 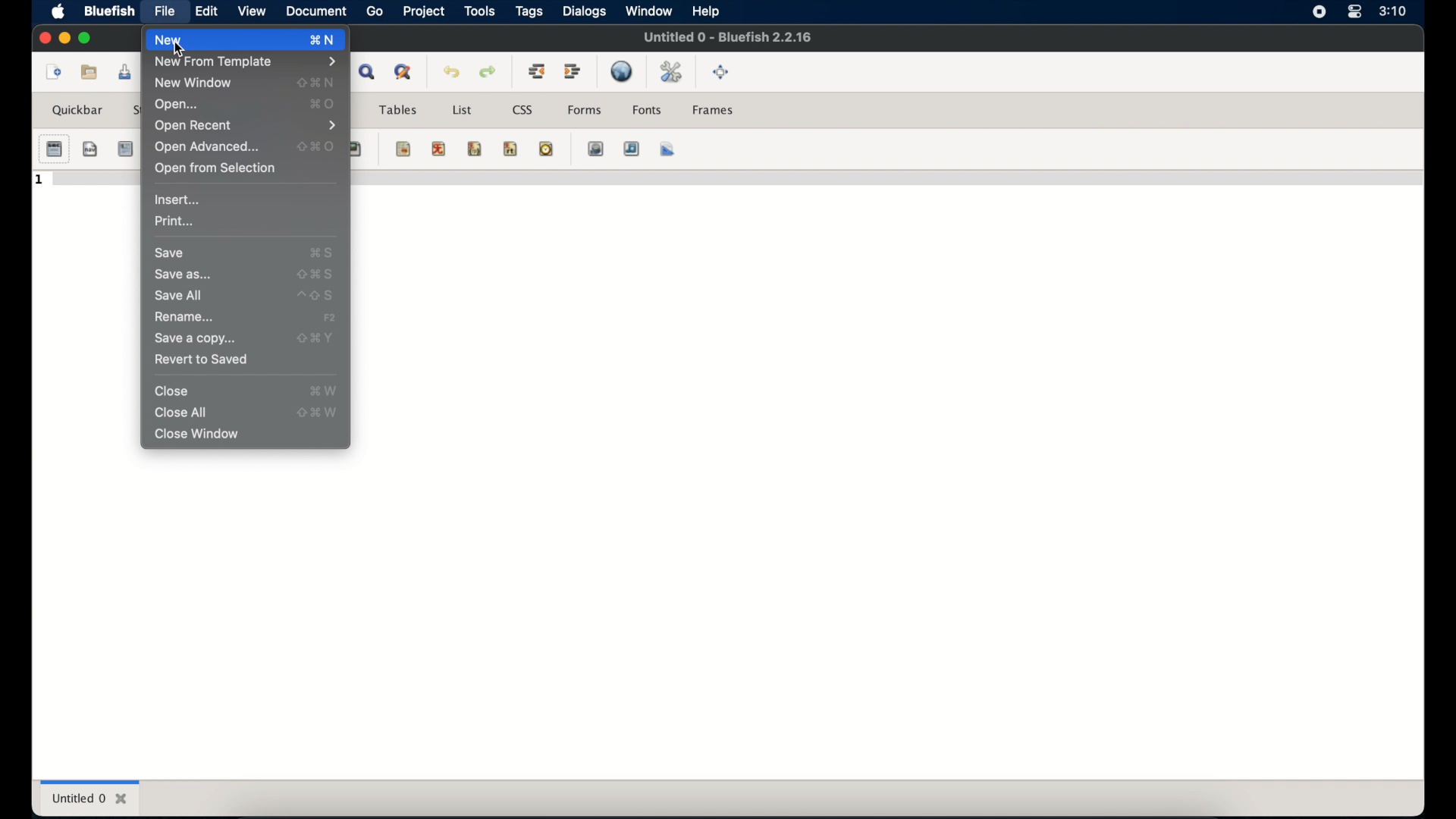 What do you see at coordinates (584, 11) in the screenshot?
I see `dialogs` at bounding box center [584, 11].